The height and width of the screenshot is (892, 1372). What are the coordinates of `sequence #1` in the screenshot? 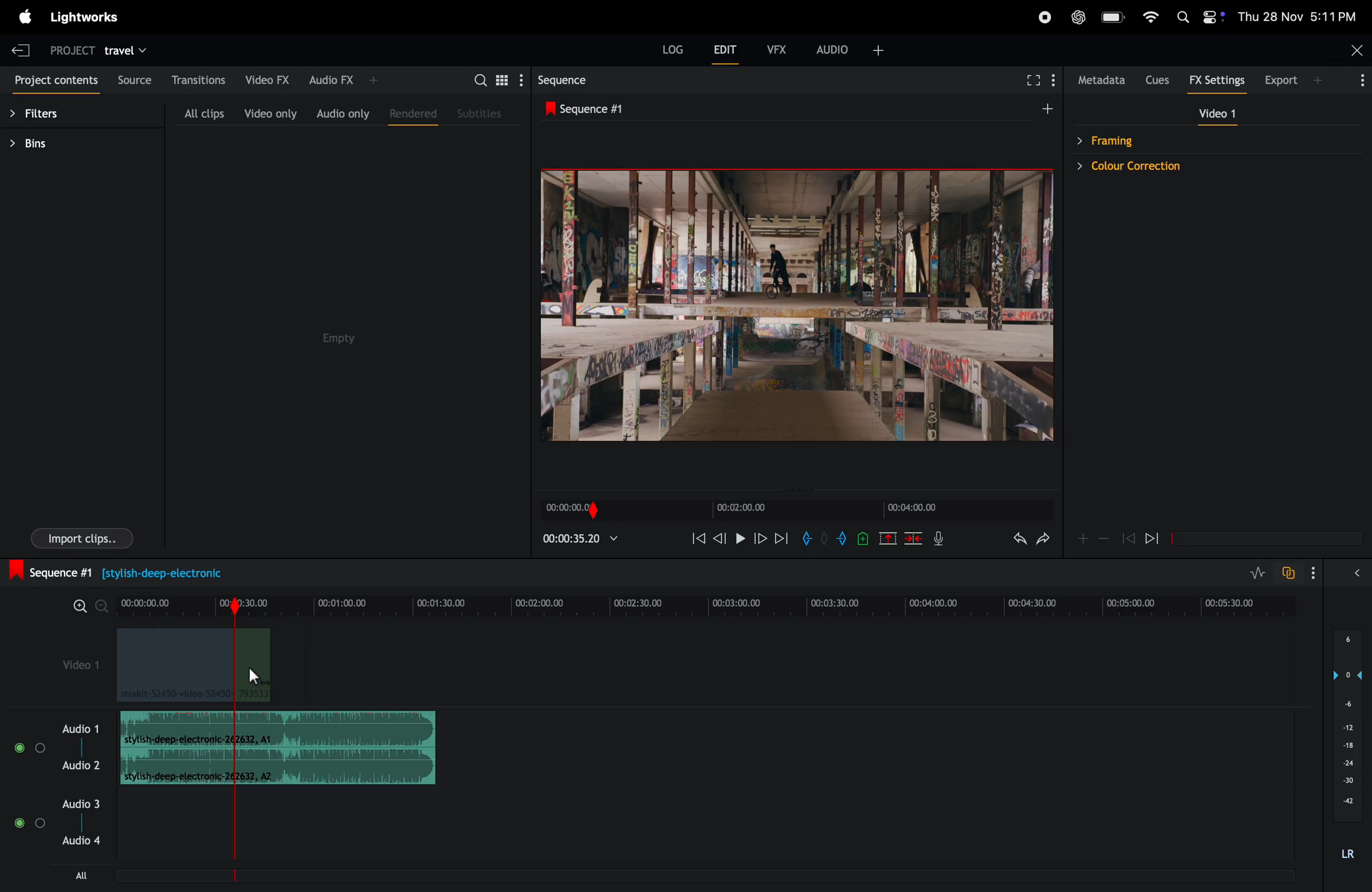 It's located at (114, 572).